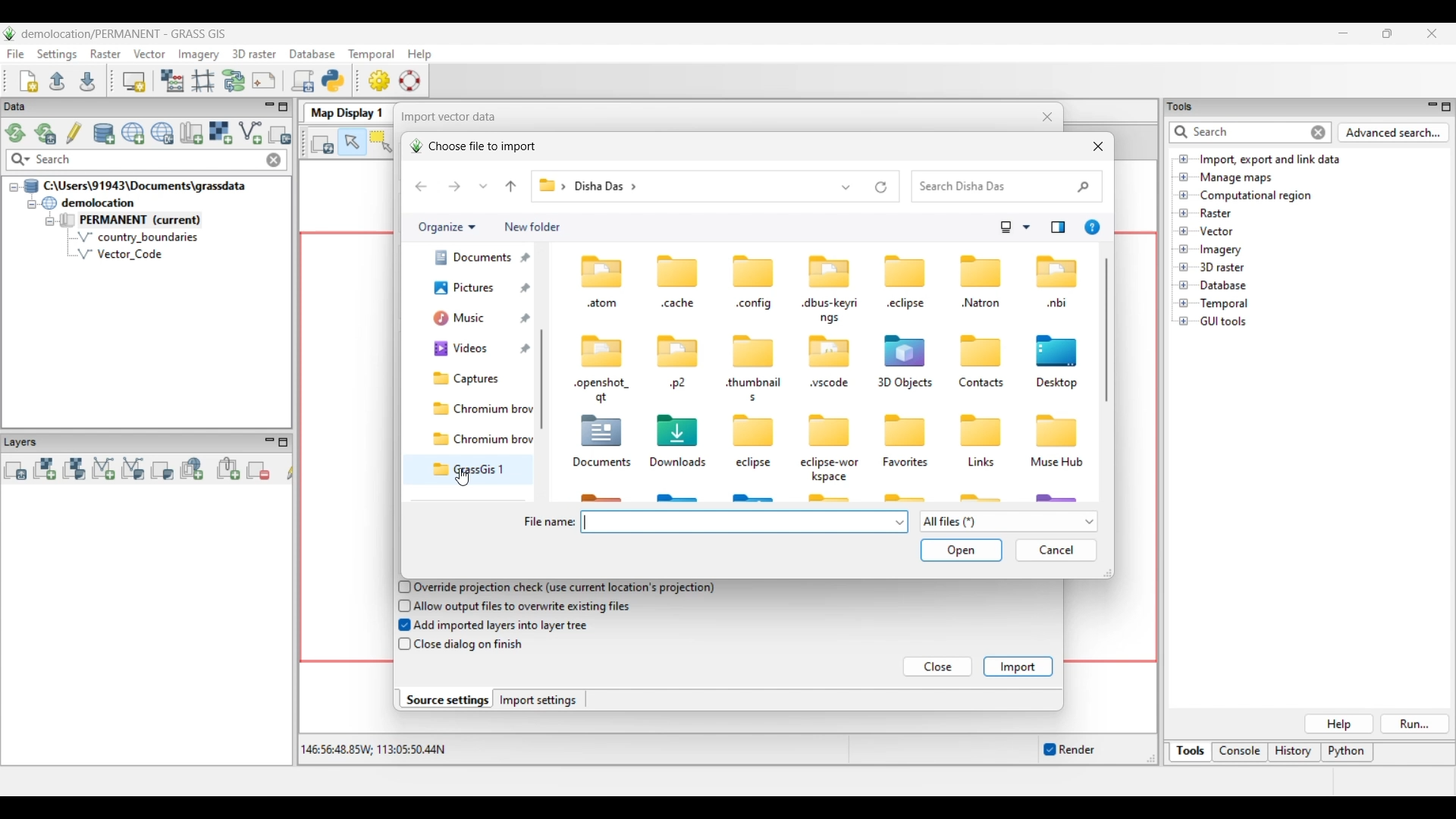  I want to click on icon, so click(830, 352).